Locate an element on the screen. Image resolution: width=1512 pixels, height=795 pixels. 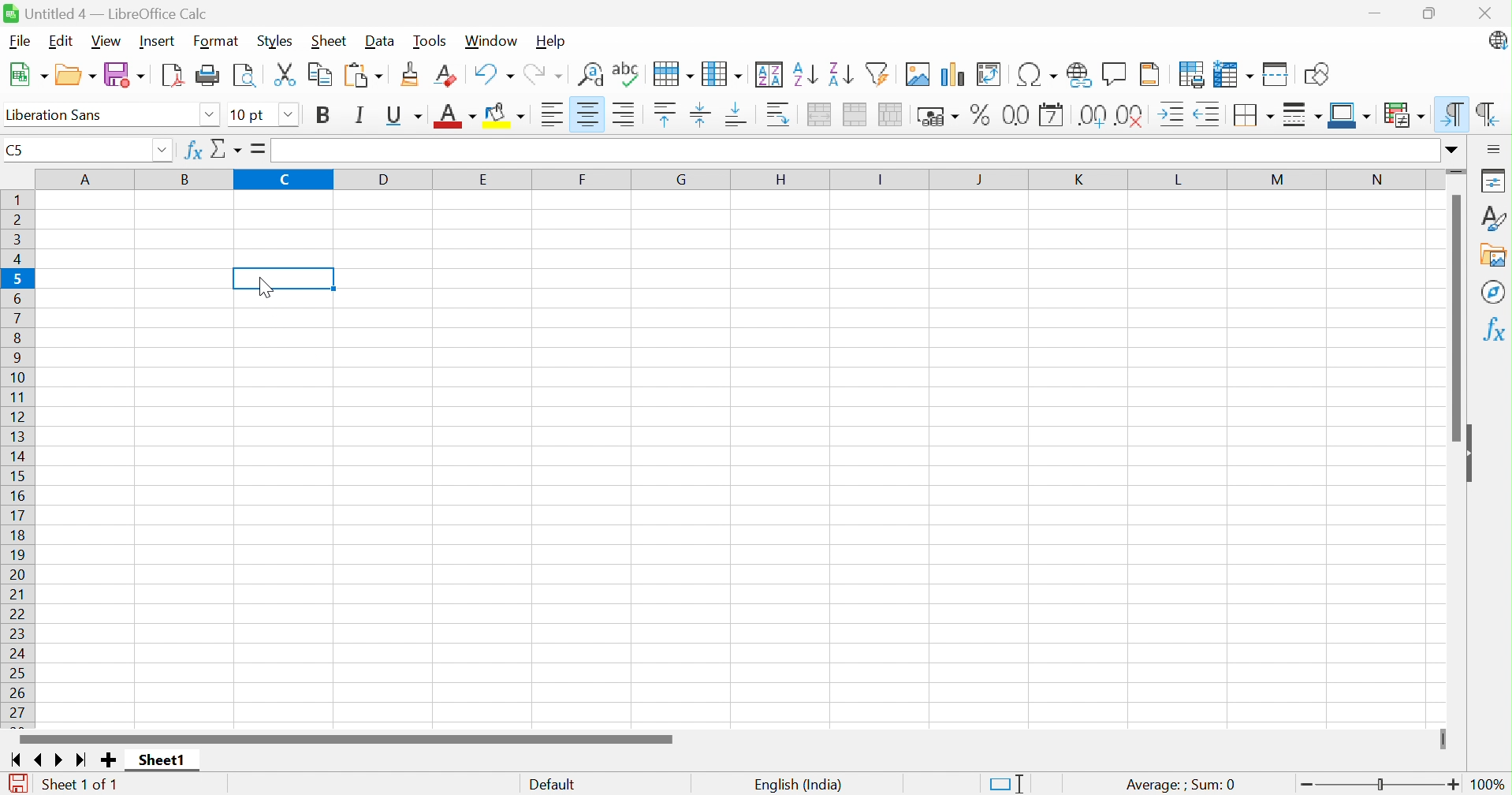
Insert or Edit Pivot Table is located at coordinates (991, 74).